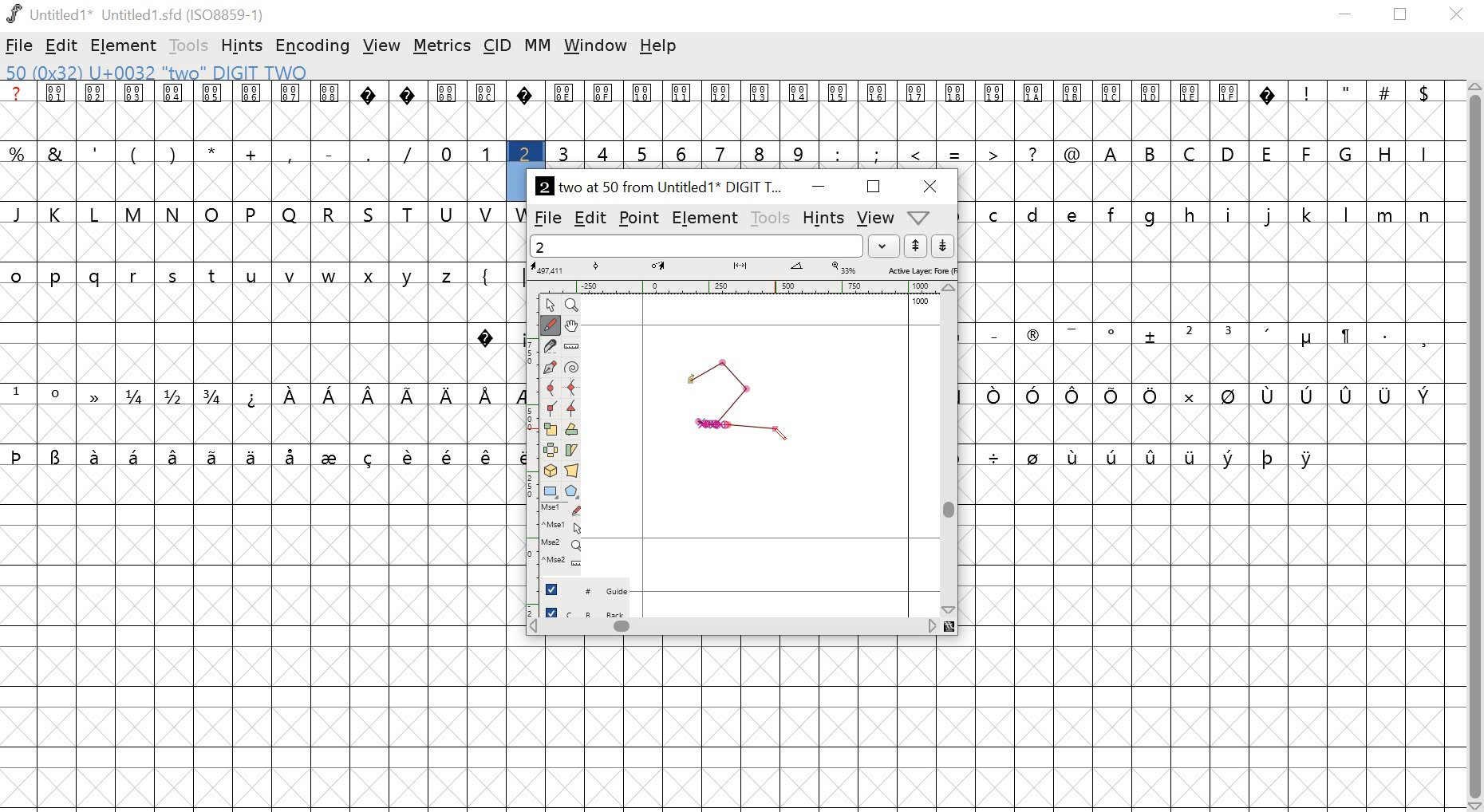 The image size is (1484, 812). What do you see at coordinates (571, 429) in the screenshot?
I see `rotate` at bounding box center [571, 429].